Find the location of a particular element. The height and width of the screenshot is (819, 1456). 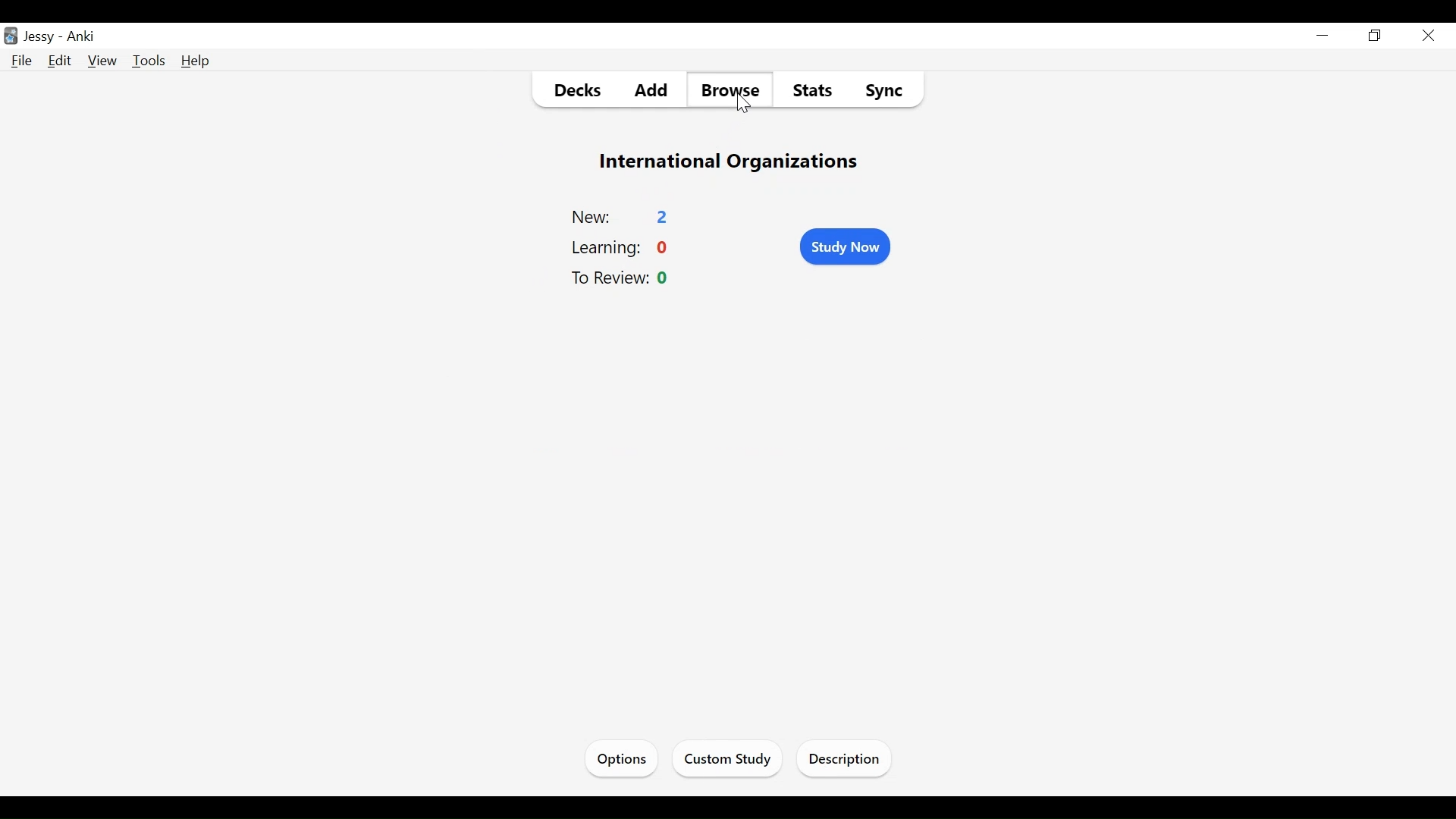

Deck Name is located at coordinates (730, 164).